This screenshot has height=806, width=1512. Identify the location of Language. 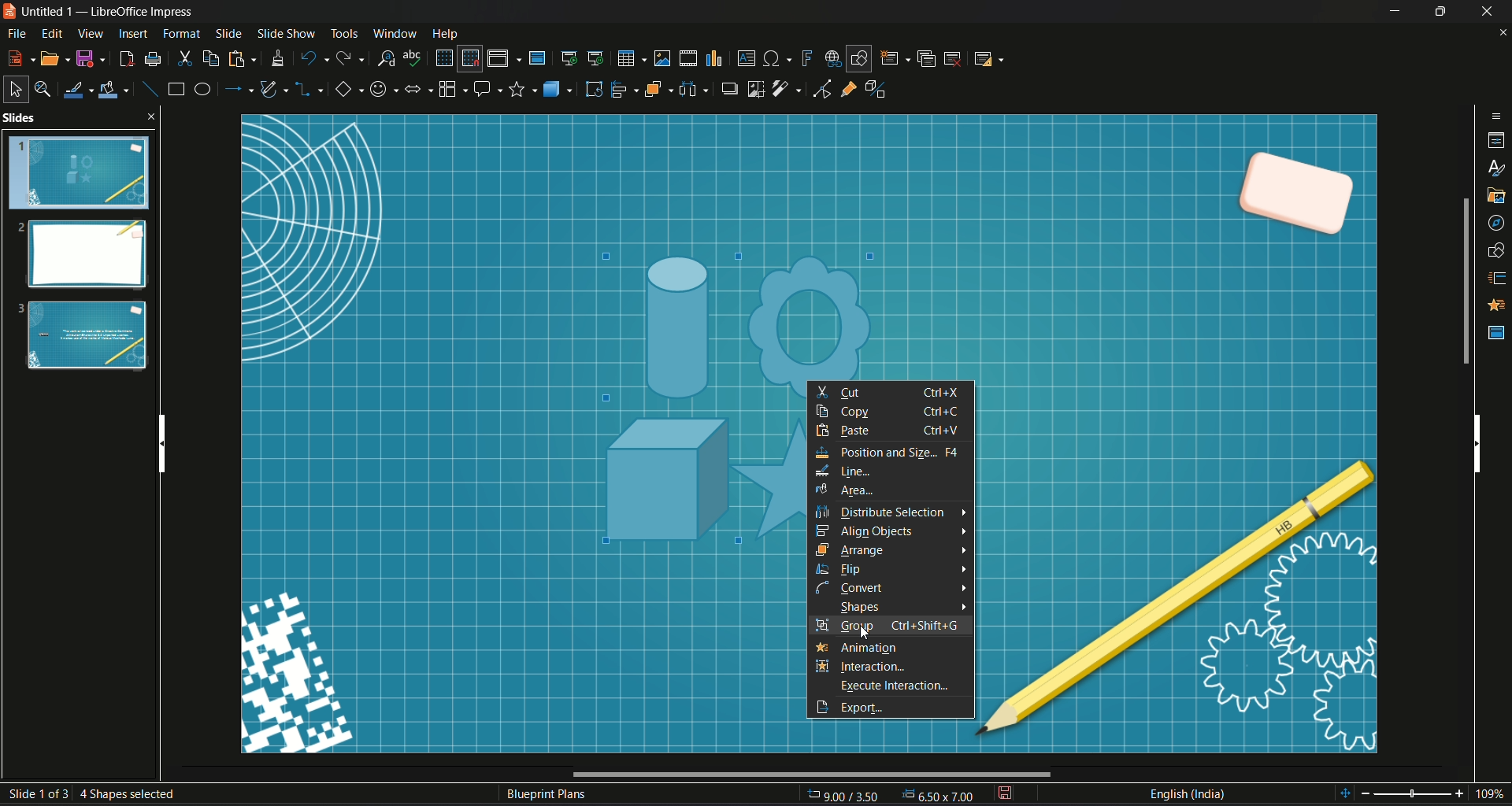
(1187, 794).